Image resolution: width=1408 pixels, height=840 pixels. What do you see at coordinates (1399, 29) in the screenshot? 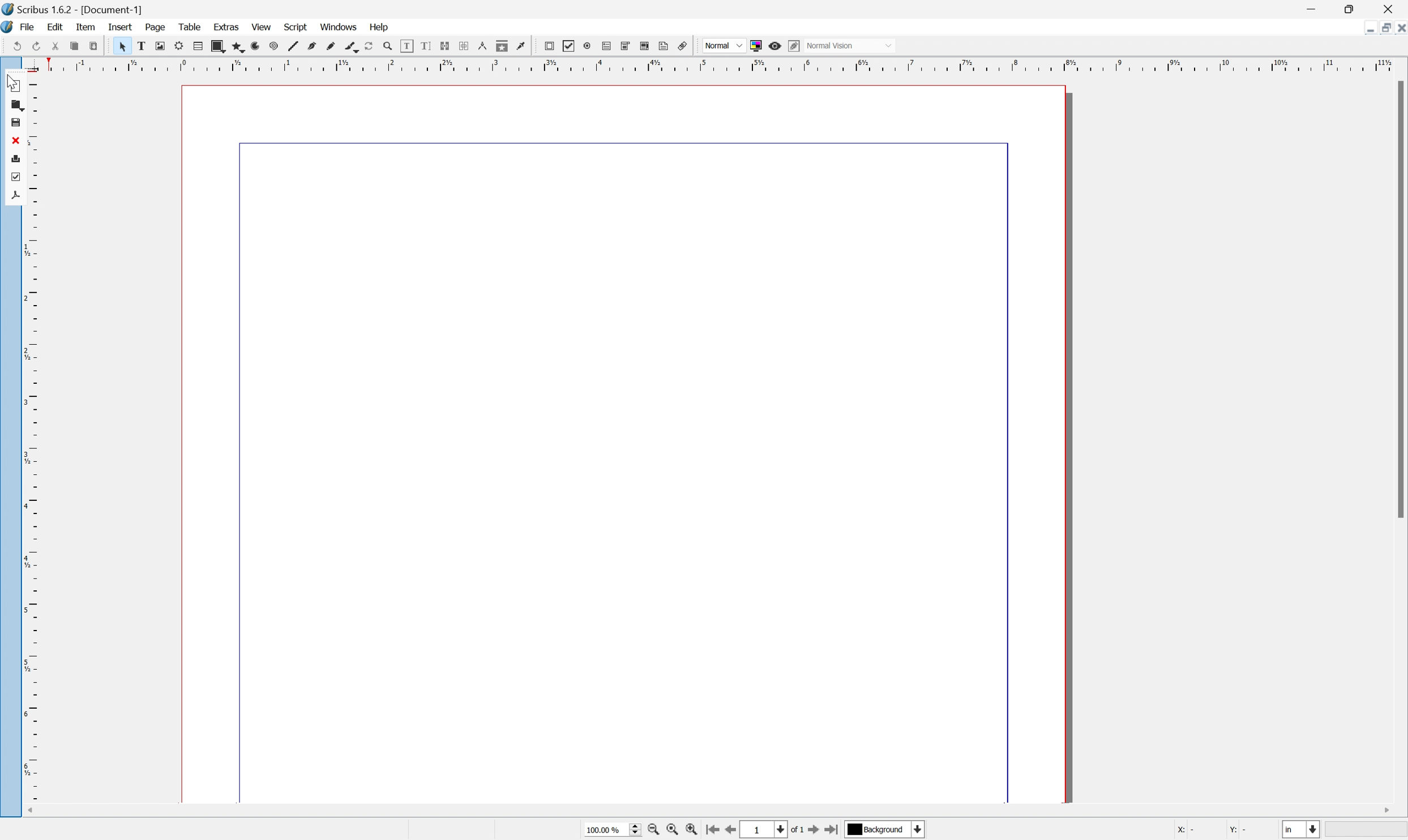
I see `close` at bounding box center [1399, 29].